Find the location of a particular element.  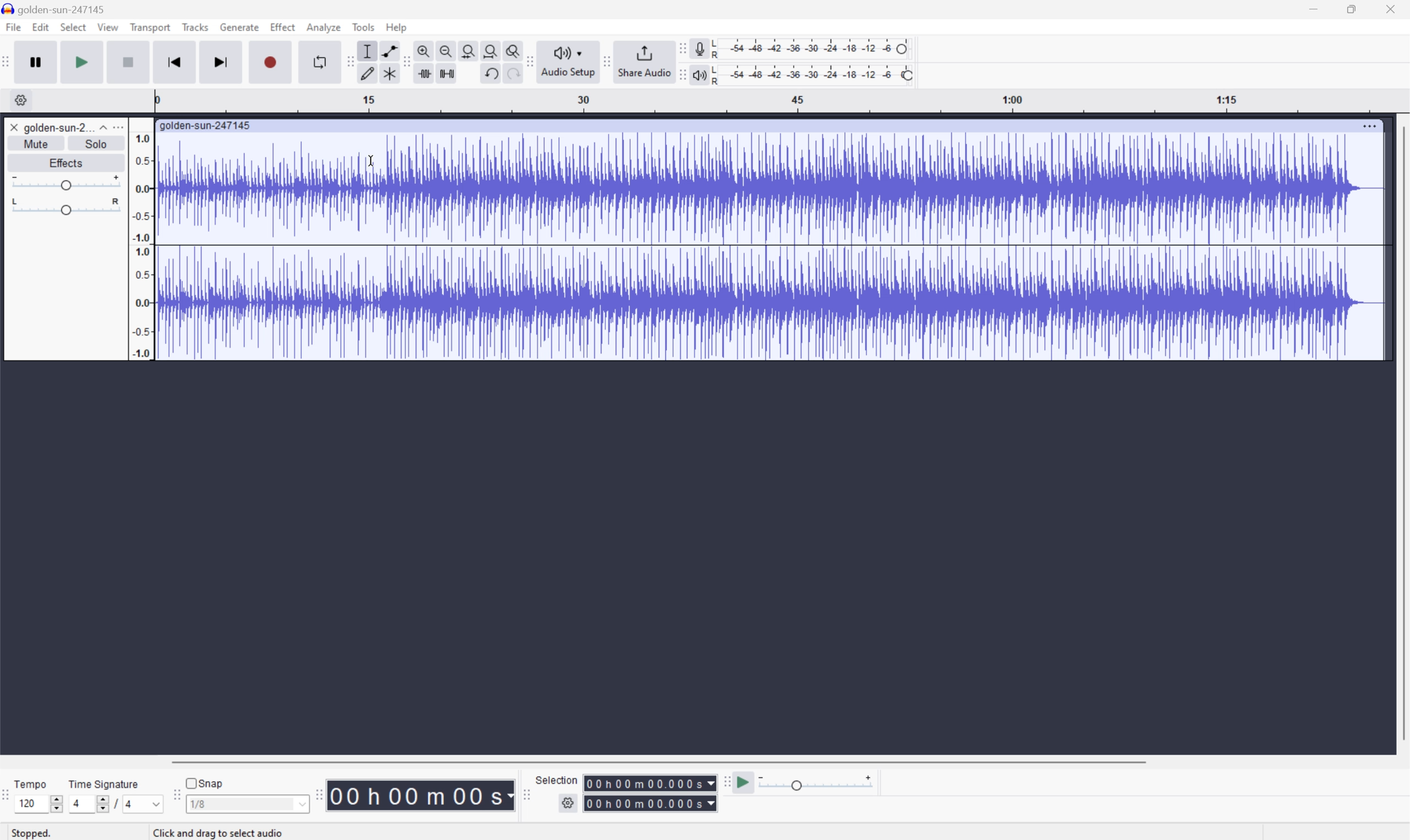

Selection is located at coordinates (651, 793).